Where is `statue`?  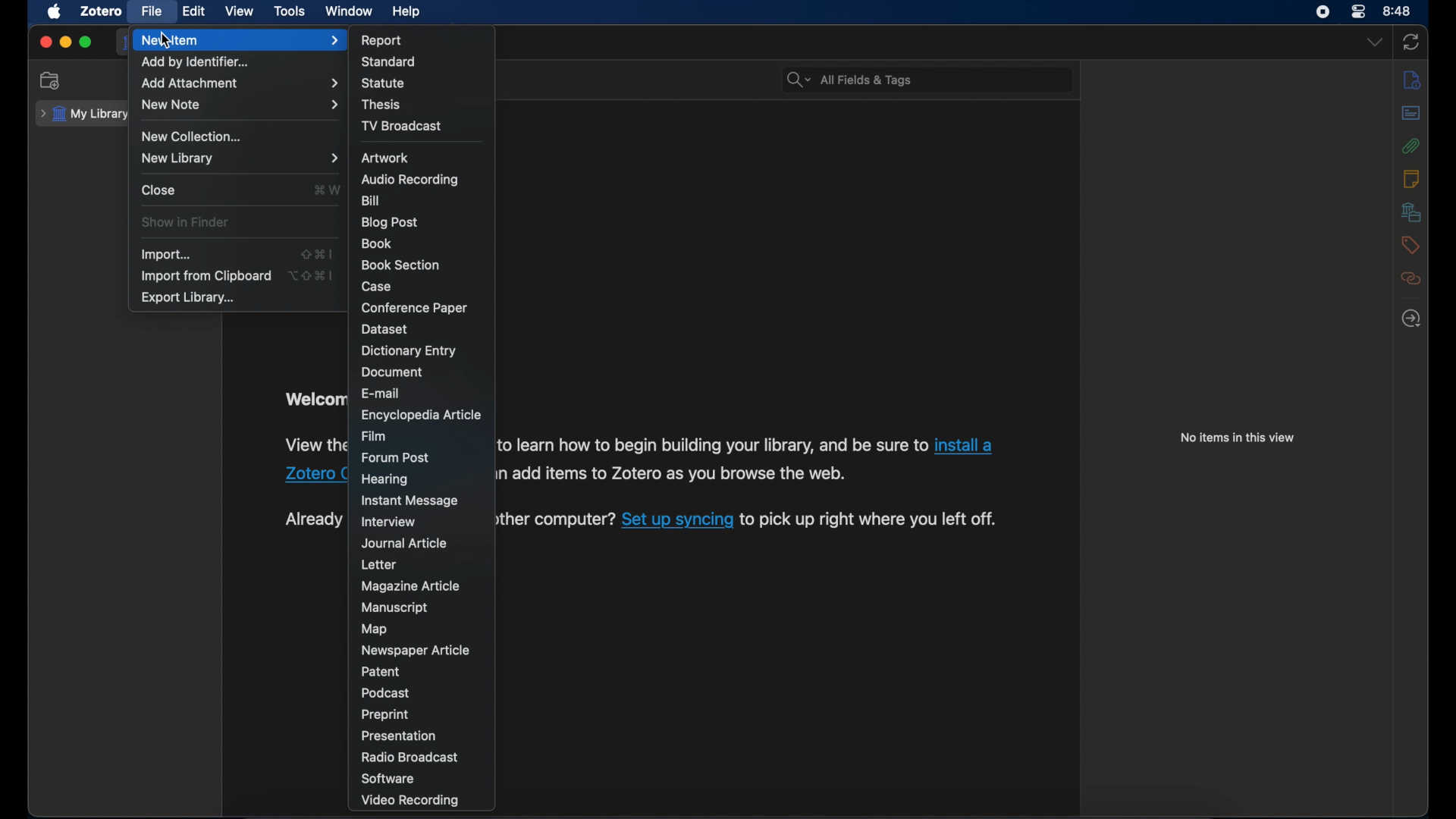
statue is located at coordinates (383, 84).